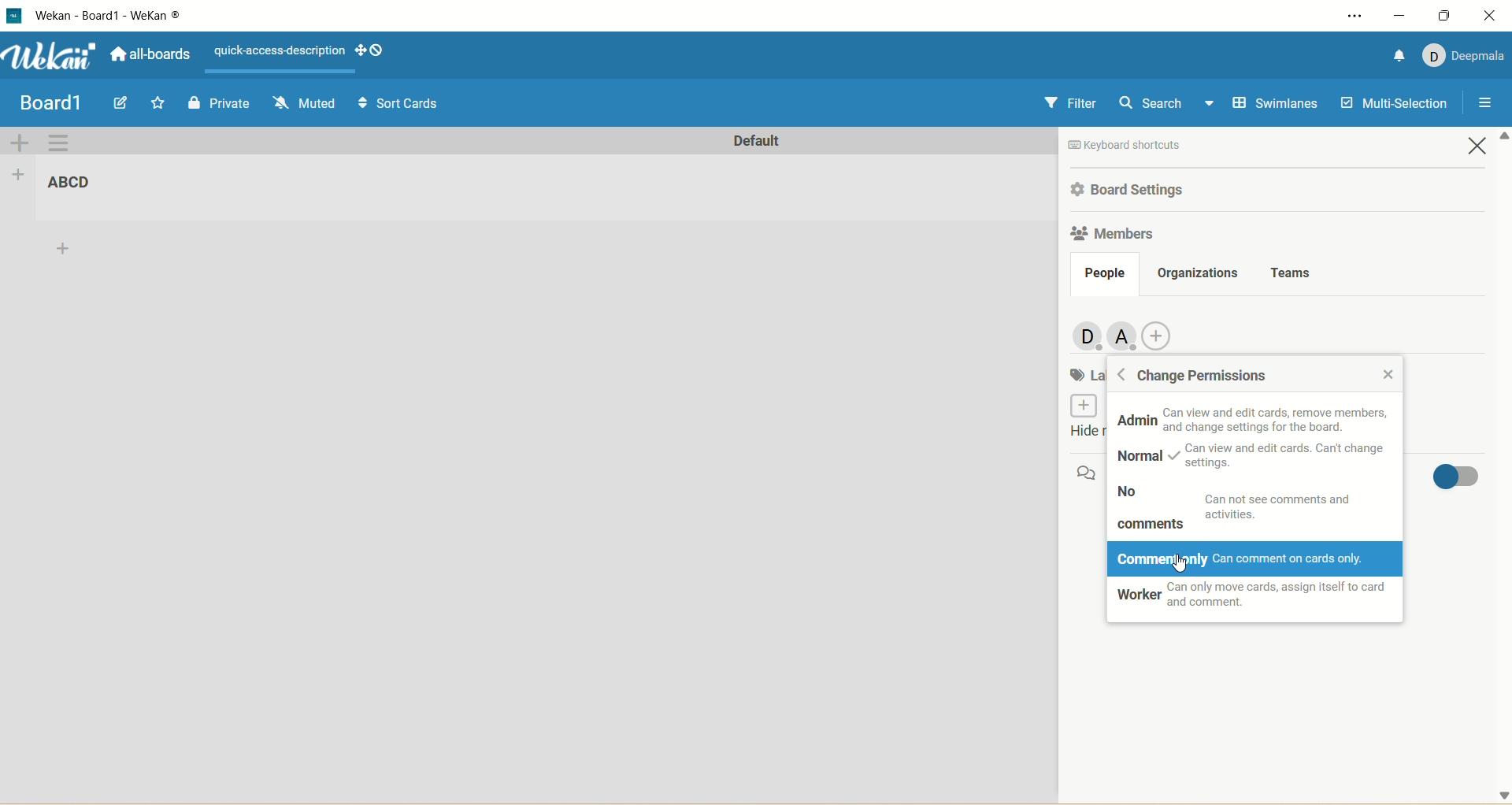 This screenshot has width=1512, height=805. What do you see at coordinates (1154, 524) in the screenshot?
I see `comments` at bounding box center [1154, 524].